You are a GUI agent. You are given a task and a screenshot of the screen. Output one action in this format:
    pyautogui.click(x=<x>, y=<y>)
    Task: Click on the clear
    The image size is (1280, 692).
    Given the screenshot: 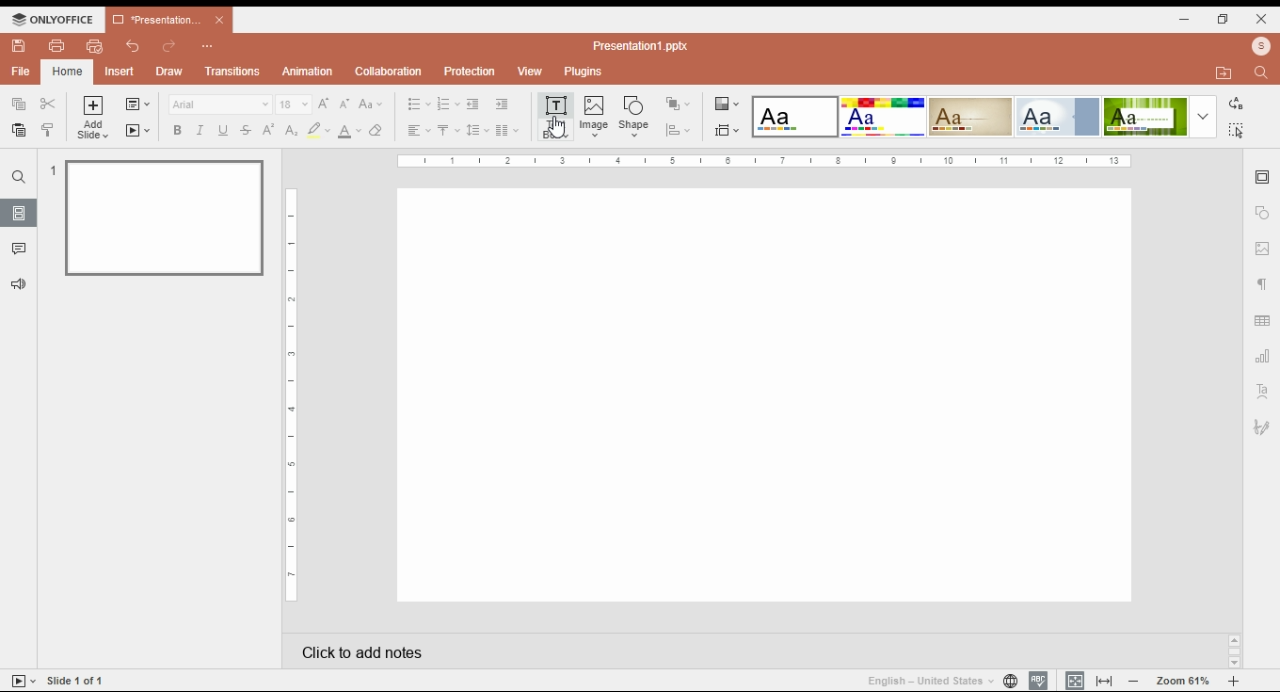 What is the action you would take?
    pyautogui.click(x=380, y=130)
    